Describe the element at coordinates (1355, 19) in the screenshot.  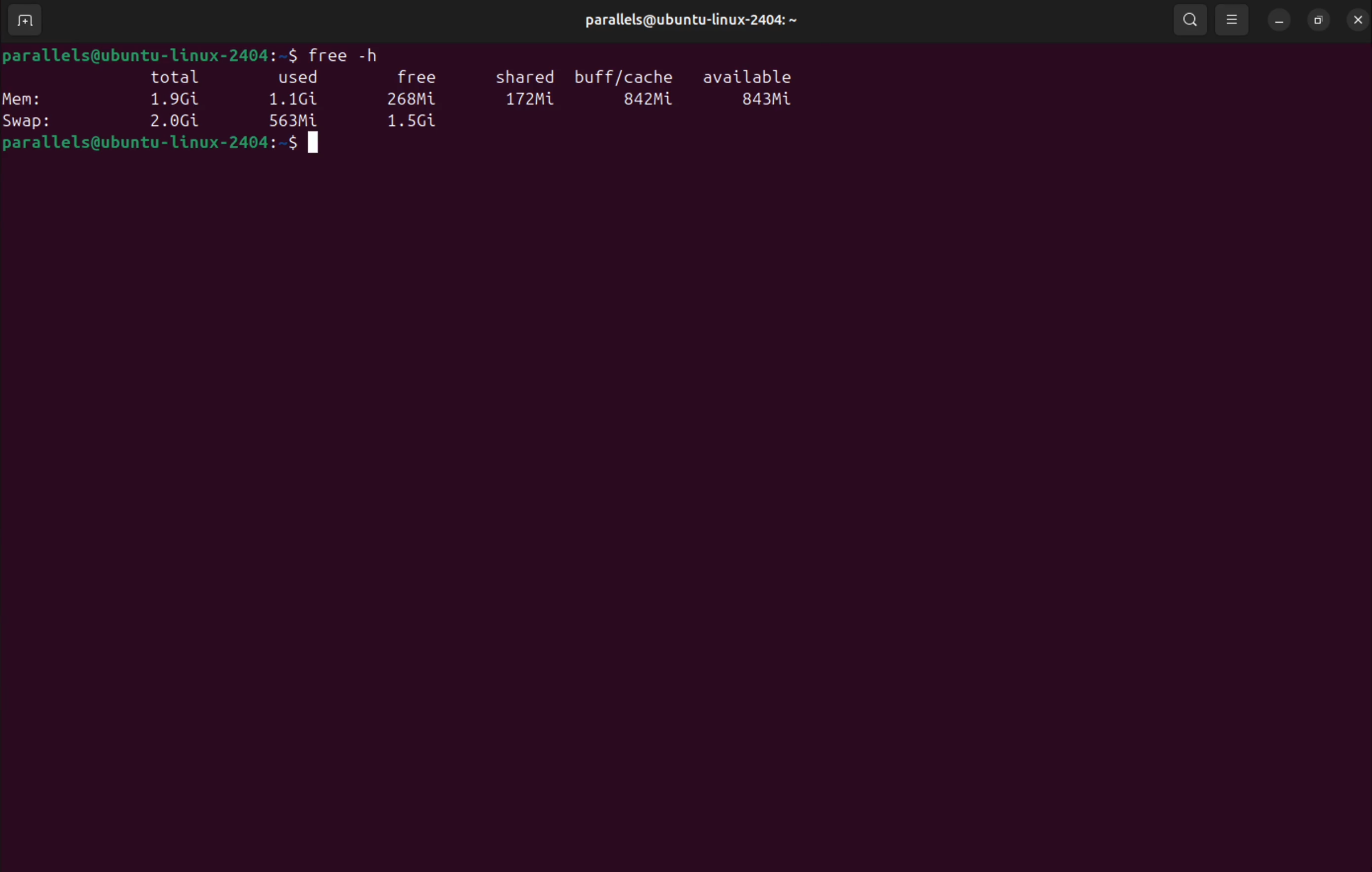
I see `close` at that location.